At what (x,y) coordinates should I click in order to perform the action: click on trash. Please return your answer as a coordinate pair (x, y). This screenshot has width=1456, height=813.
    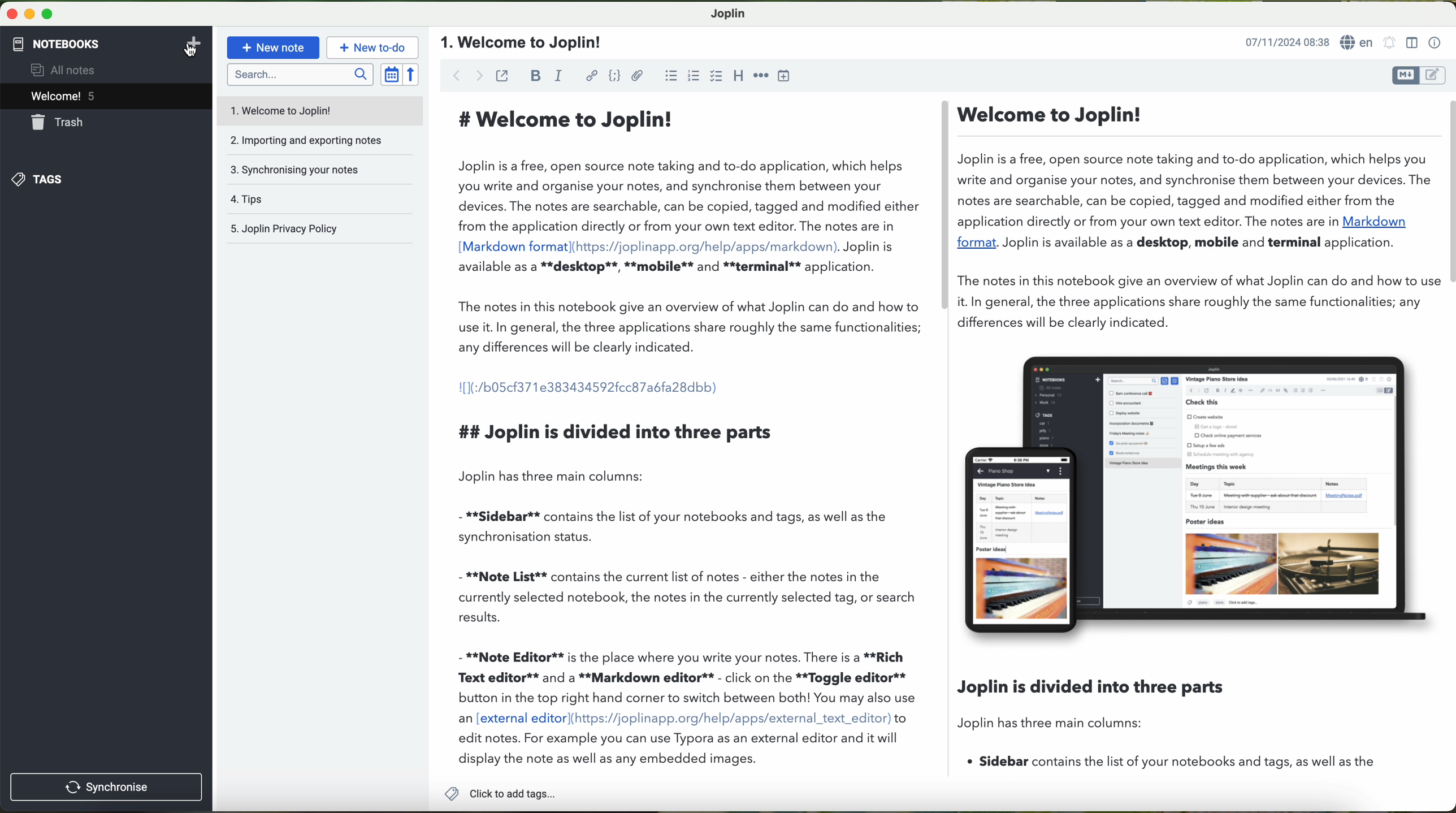
    Looking at the image, I should click on (51, 122).